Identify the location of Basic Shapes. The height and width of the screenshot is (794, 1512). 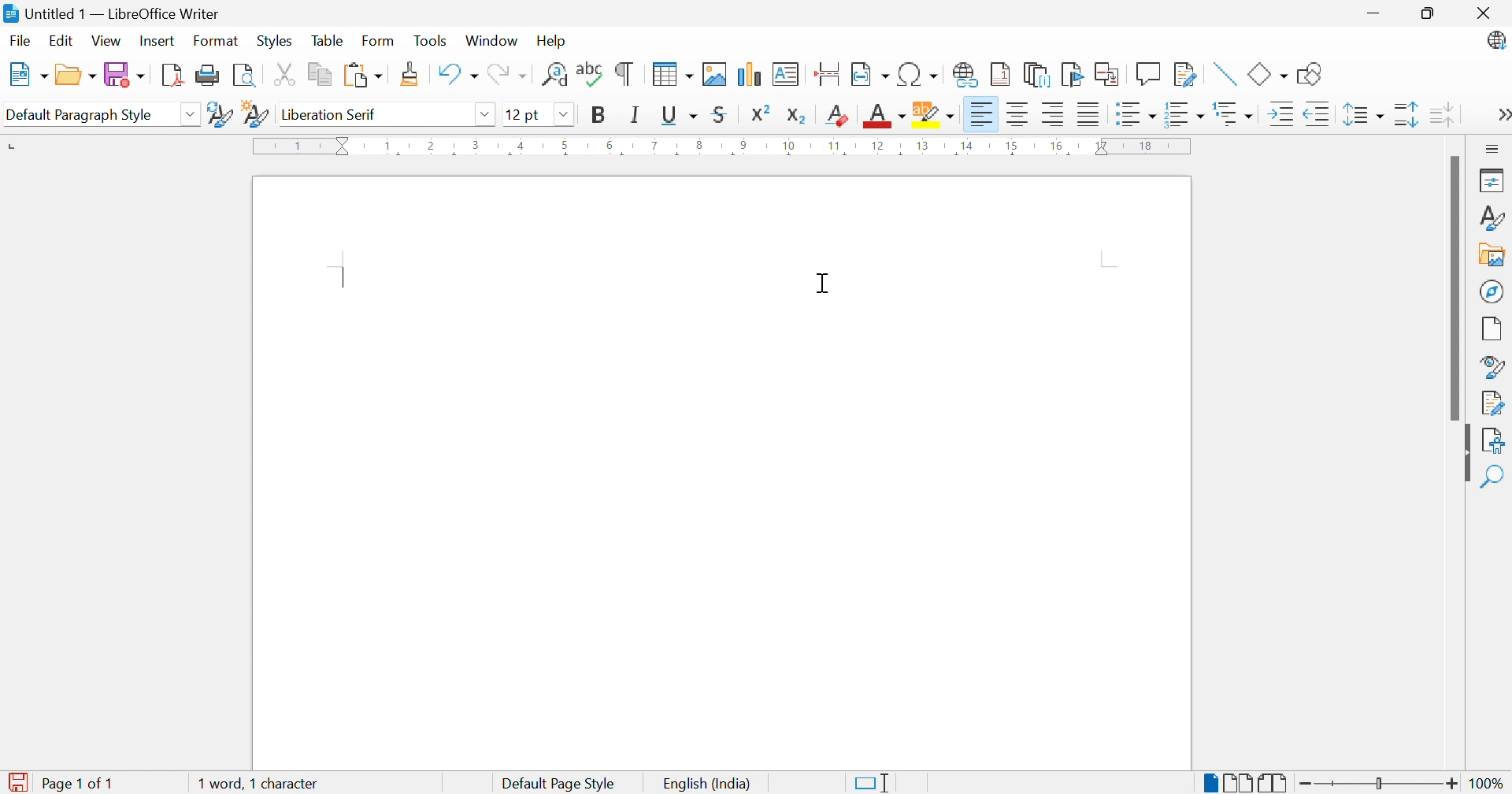
(1267, 72).